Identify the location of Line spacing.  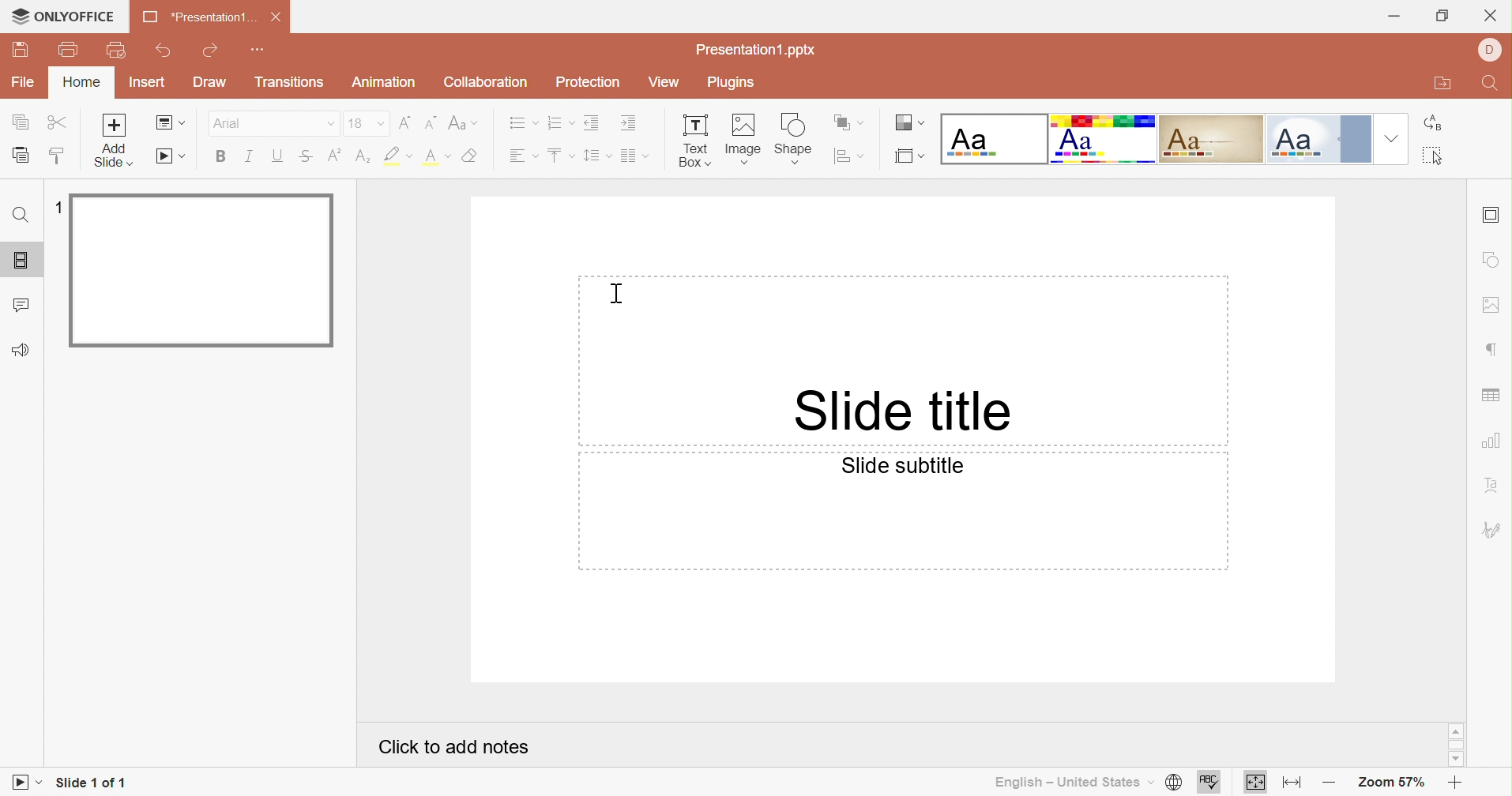
(590, 158).